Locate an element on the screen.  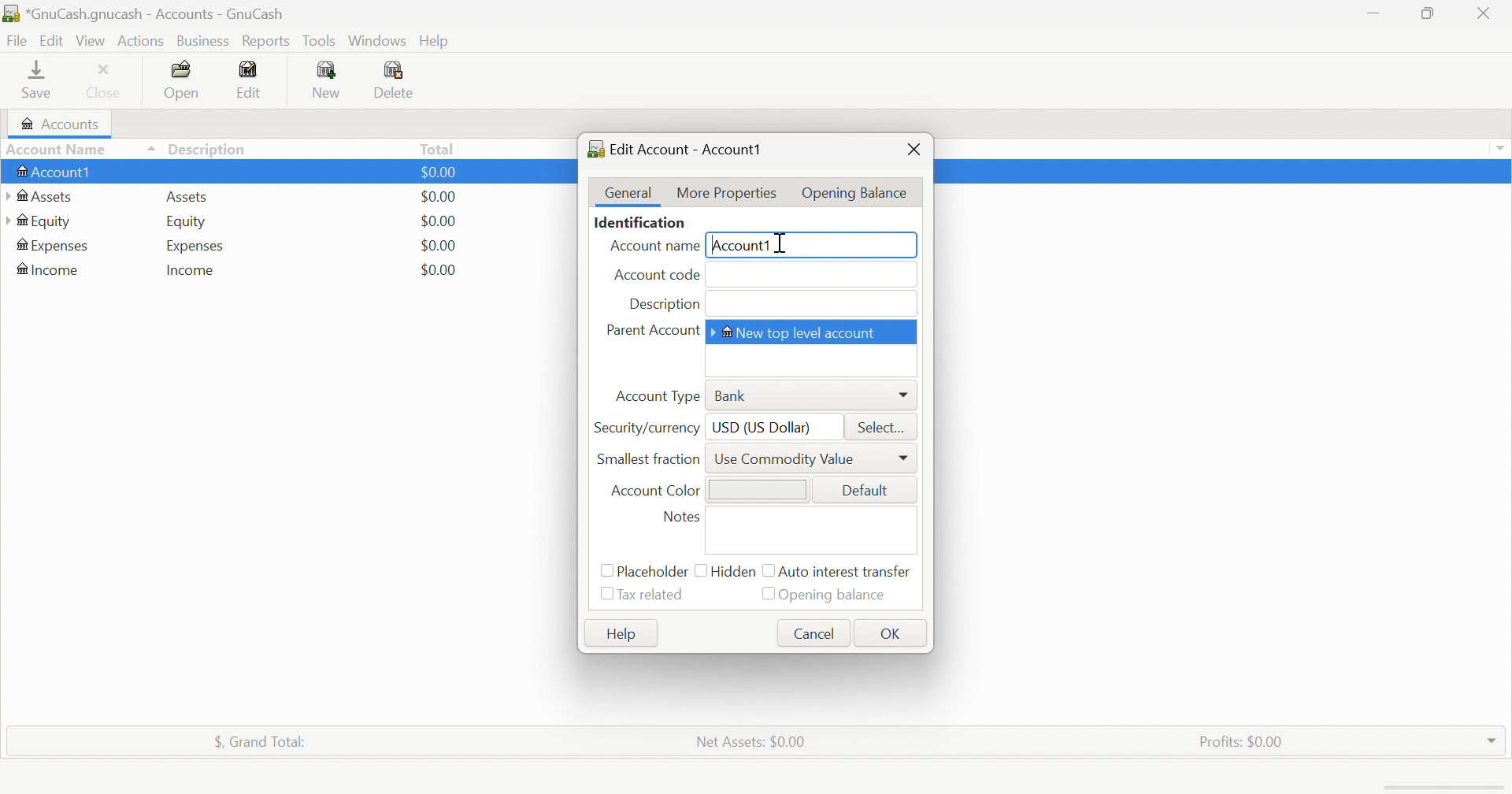
Save is located at coordinates (42, 80).